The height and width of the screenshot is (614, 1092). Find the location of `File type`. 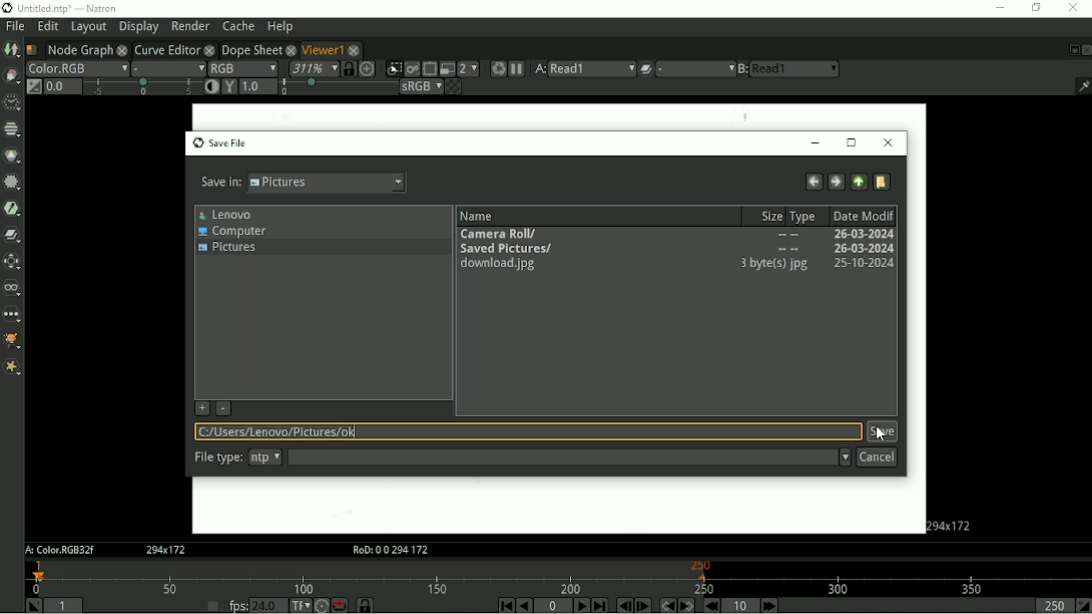

File type is located at coordinates (570, 457).